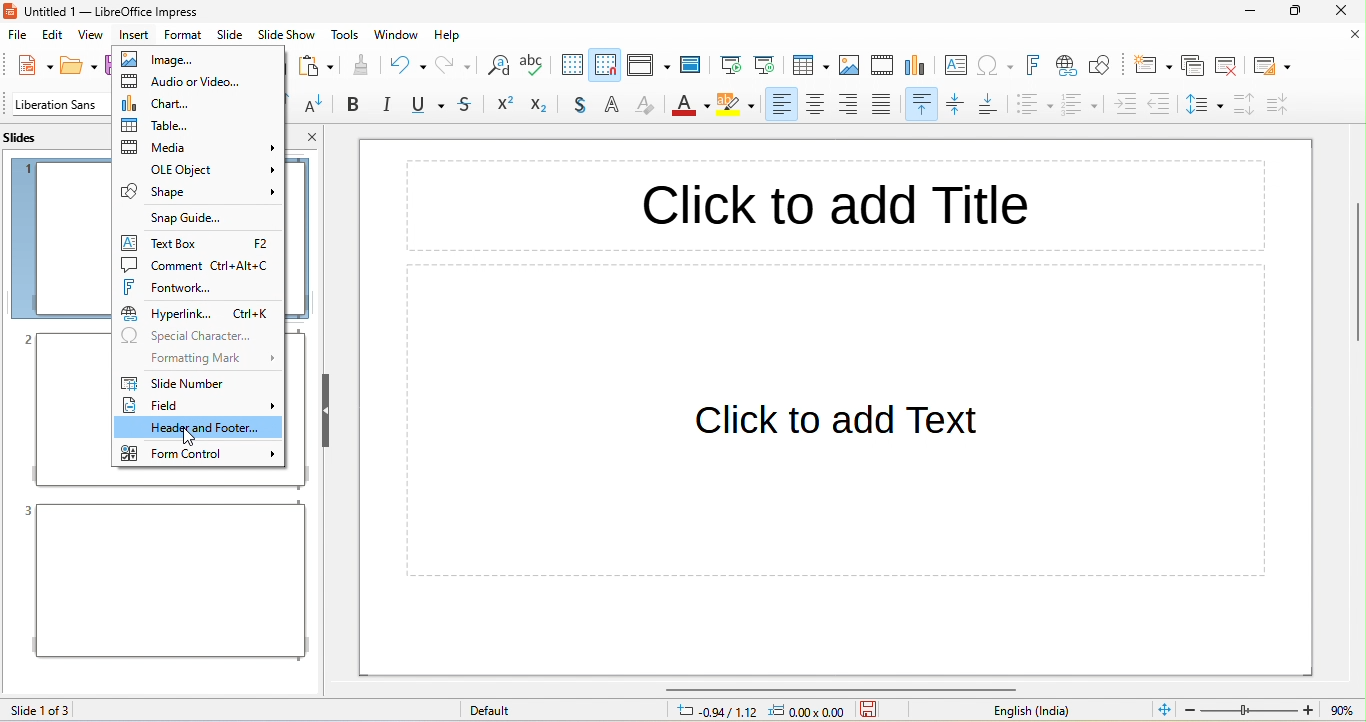  I want to click on slide number, so click(177, 383).